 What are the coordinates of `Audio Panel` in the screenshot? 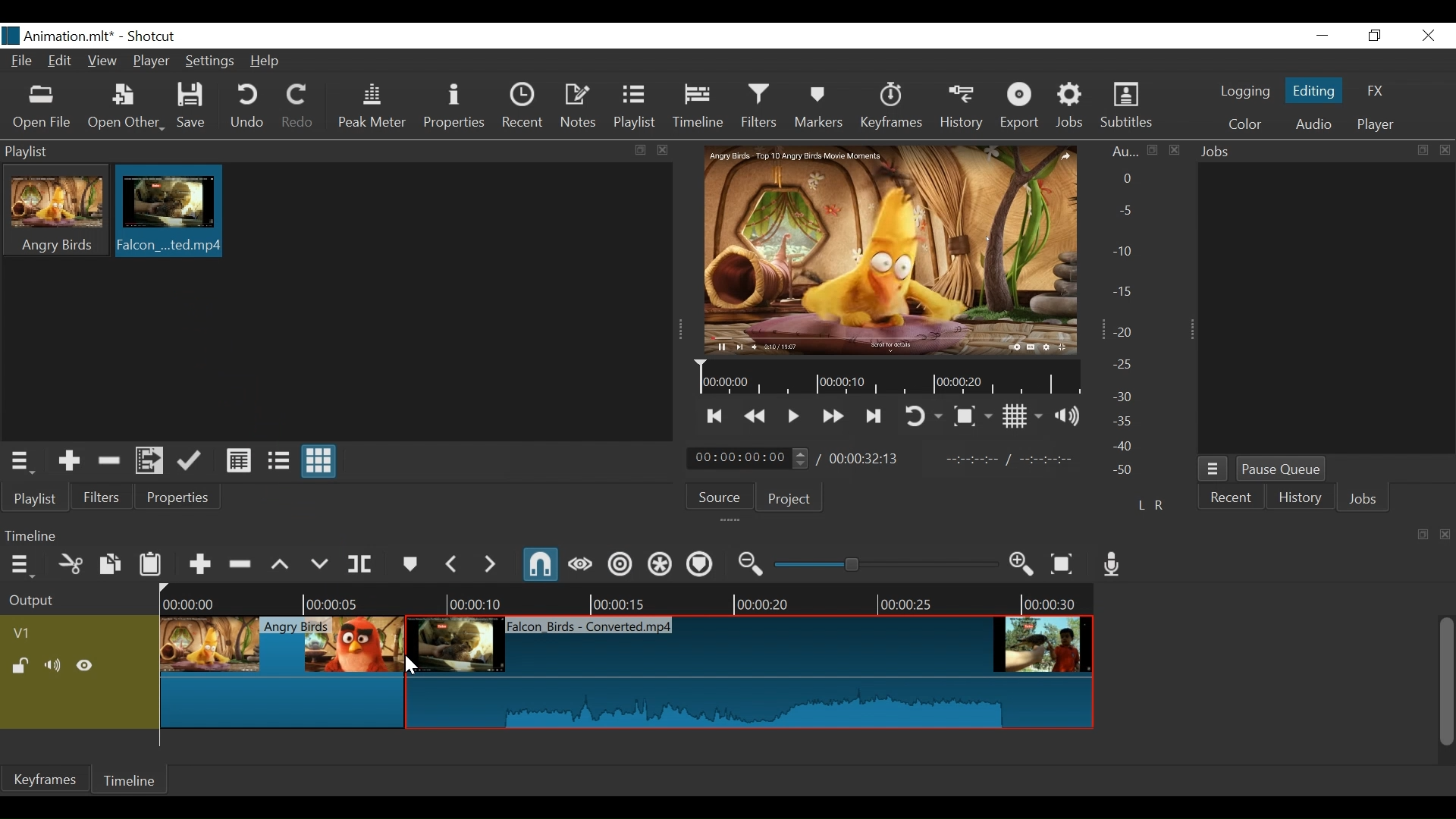 It's located at (1129, 314).